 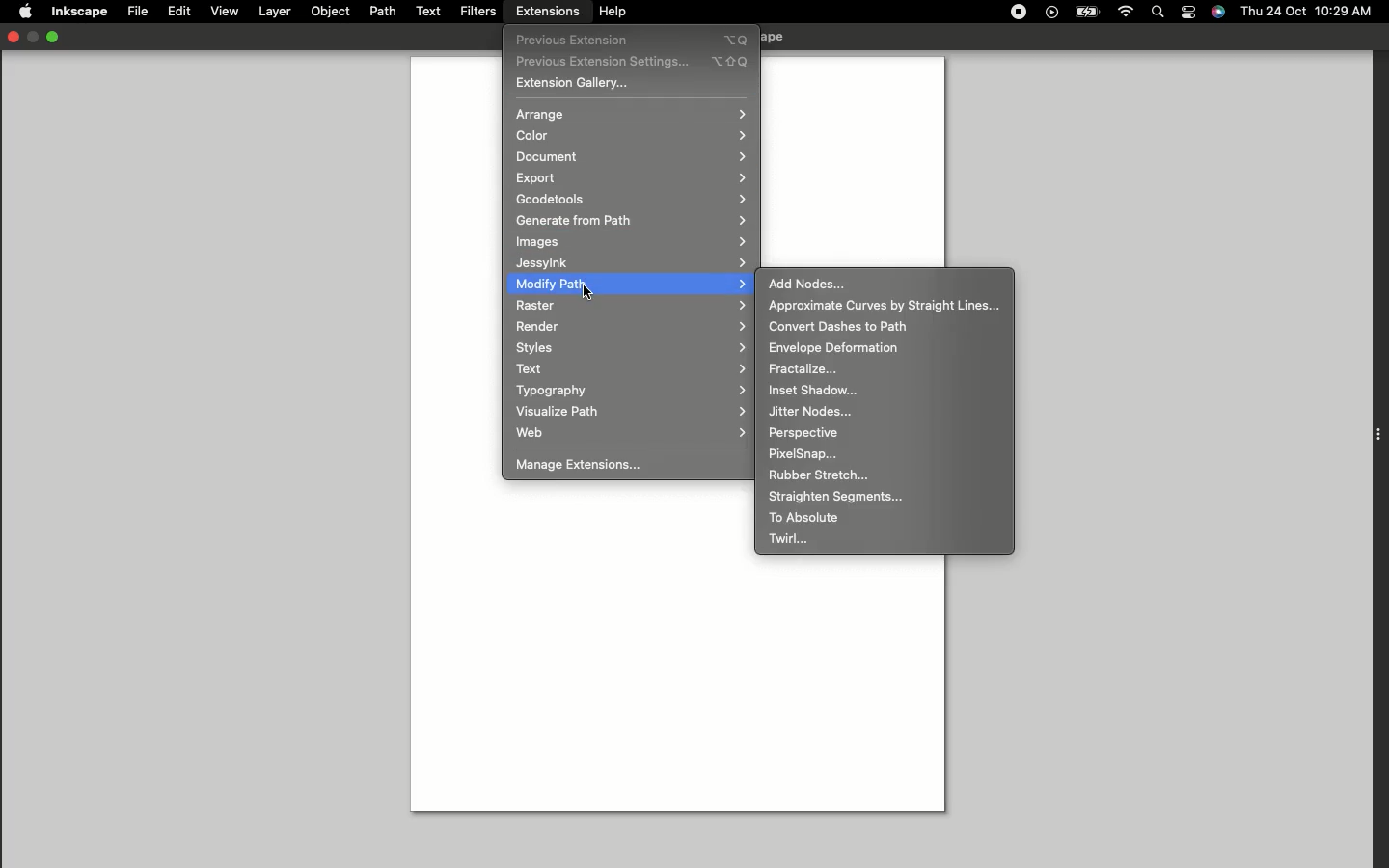 What do you see at coordinates (632, 40) in the screenshot?
I see `Previous extensions` at bounding box center [632, 40].